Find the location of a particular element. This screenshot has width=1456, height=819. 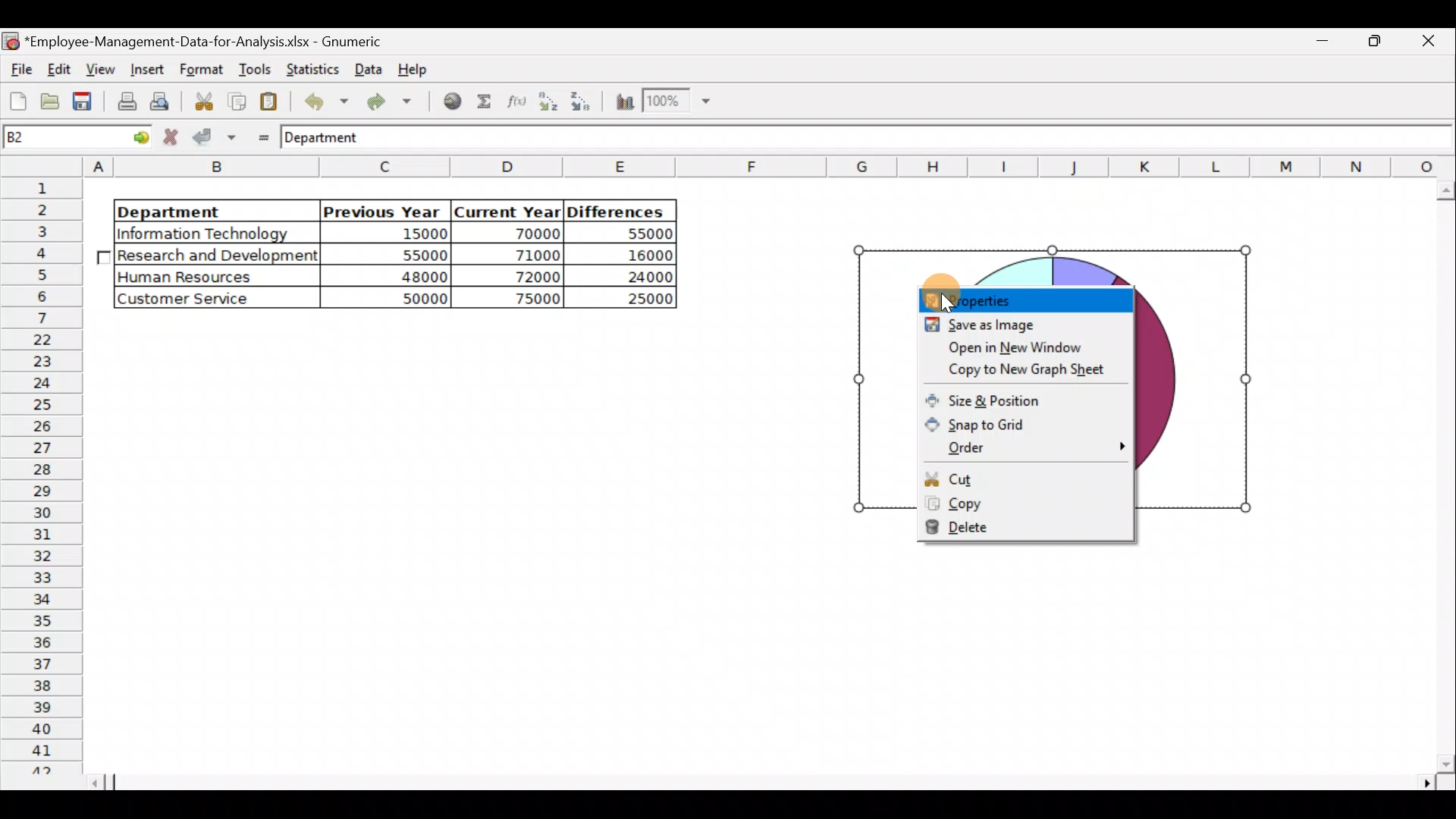

Cut the selection is located at coordinates (203, 99).